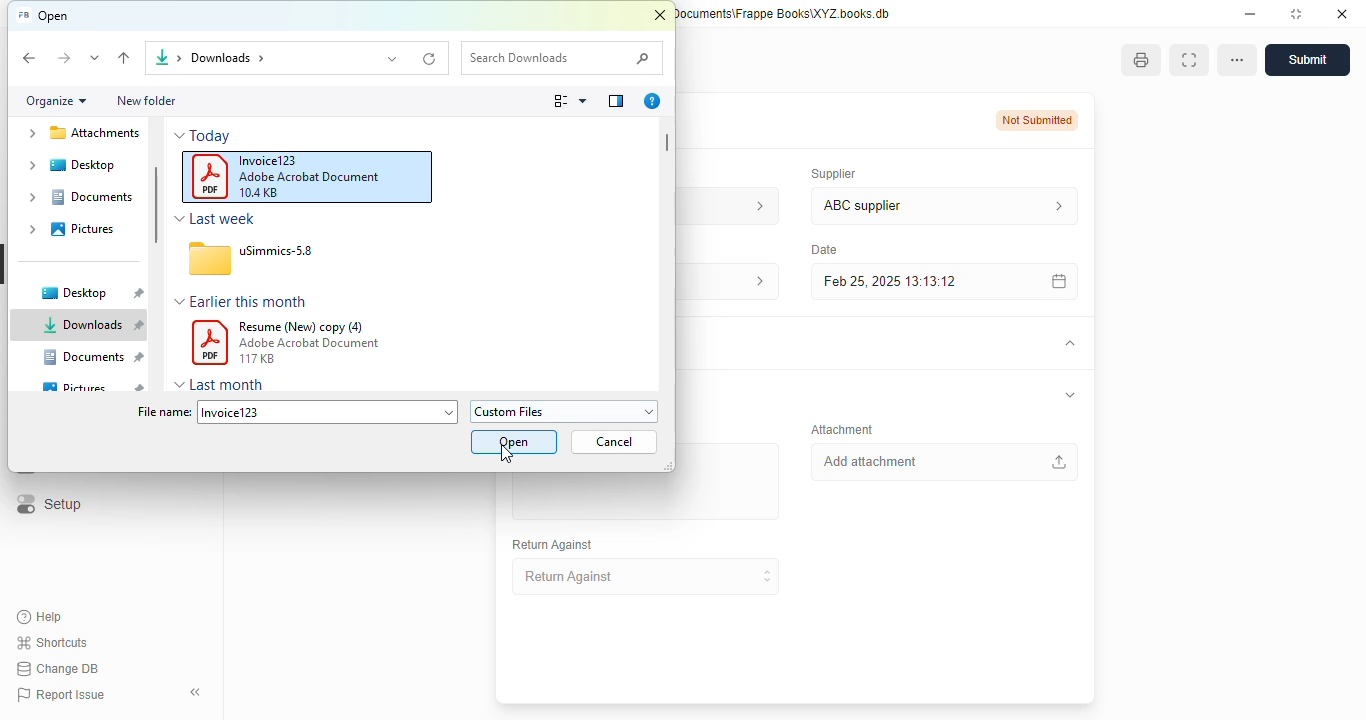 This screenshot has width=1366, height=720. Describe the element at coordinates (180, 302) in the screenshot. I see `dropdown` at that location.